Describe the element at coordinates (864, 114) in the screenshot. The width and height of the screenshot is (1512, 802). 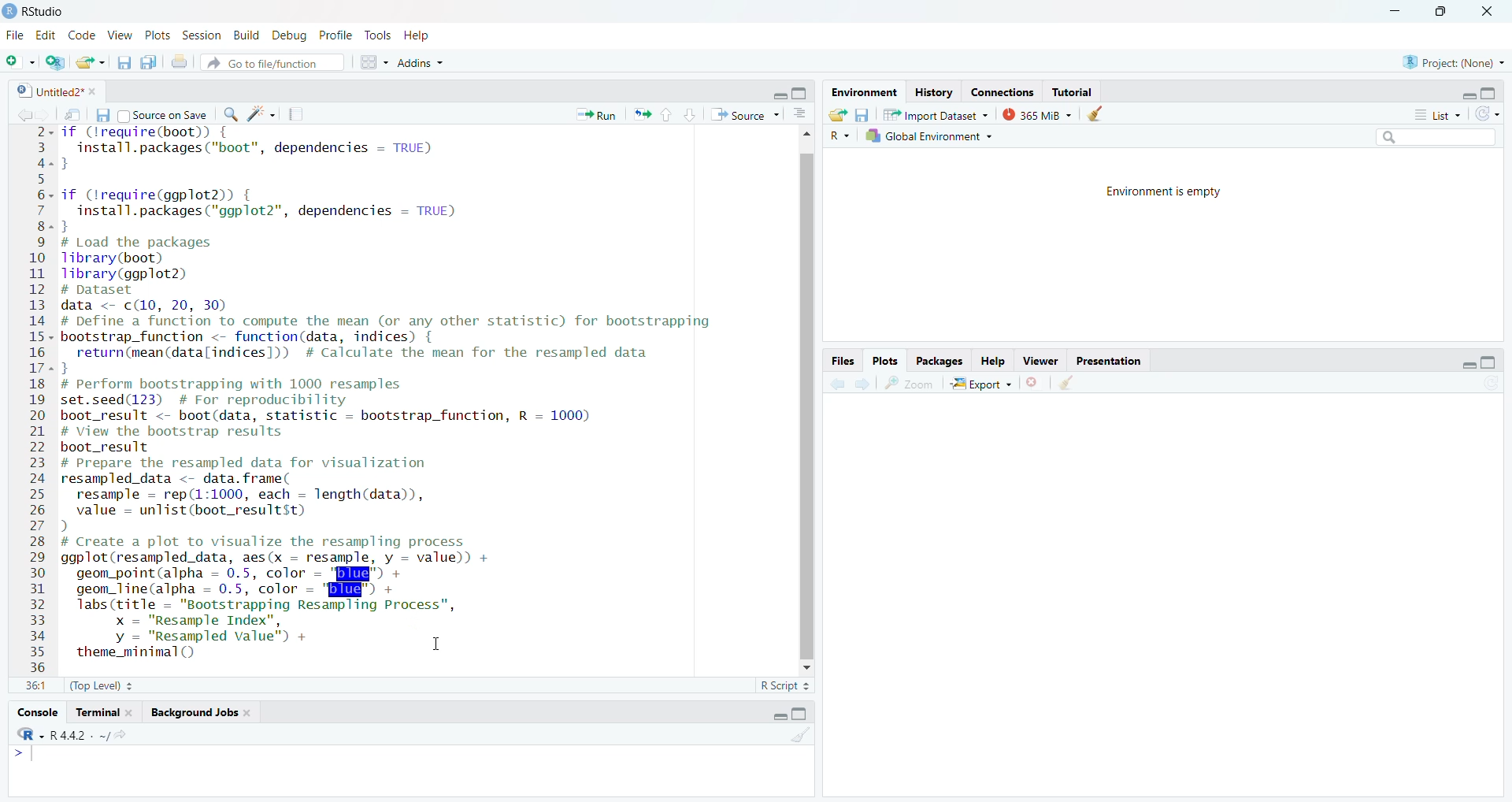
I see `save` at that location.